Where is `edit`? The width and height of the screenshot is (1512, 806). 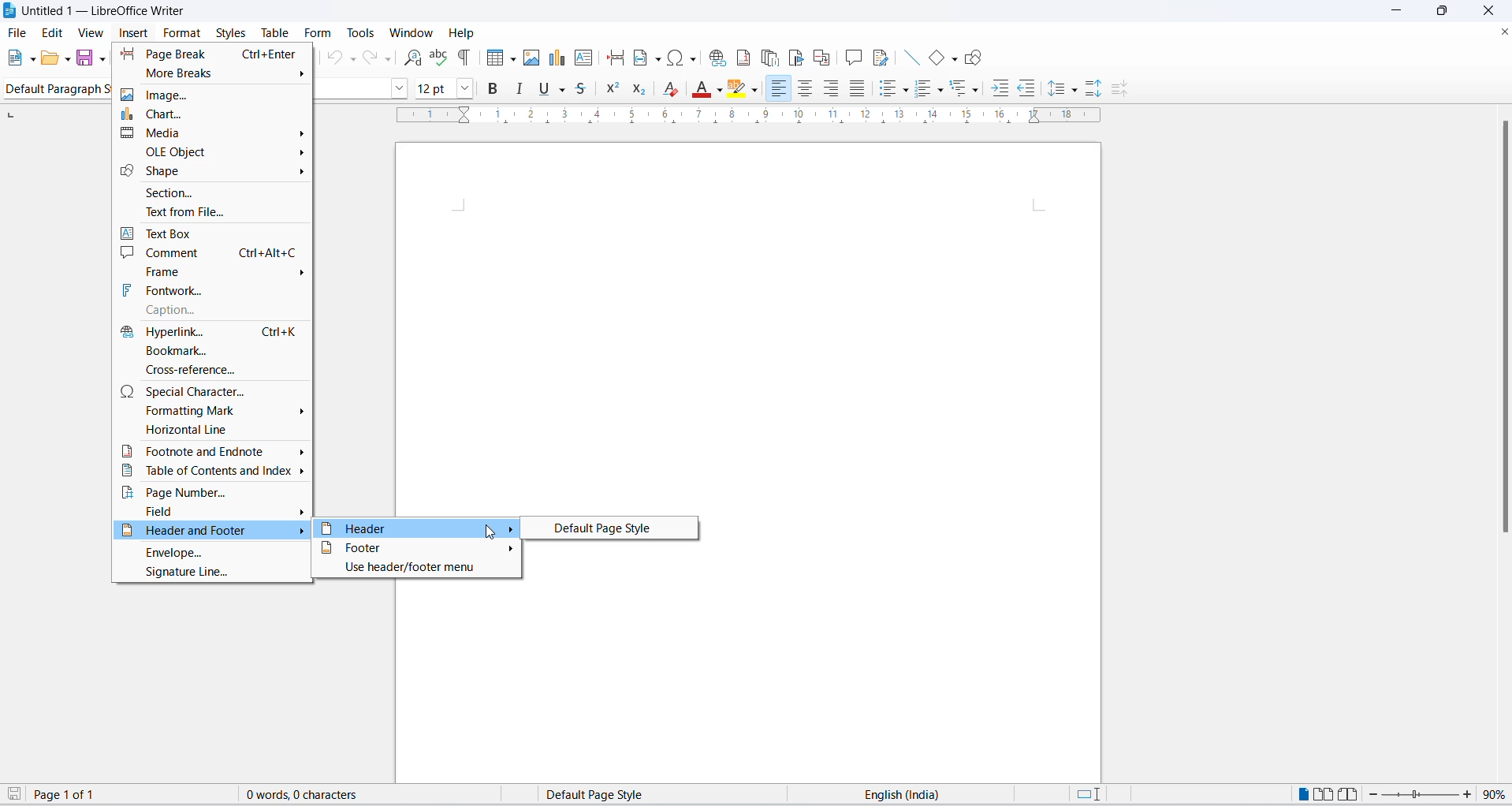 edit is located at coordinates (54, 32).